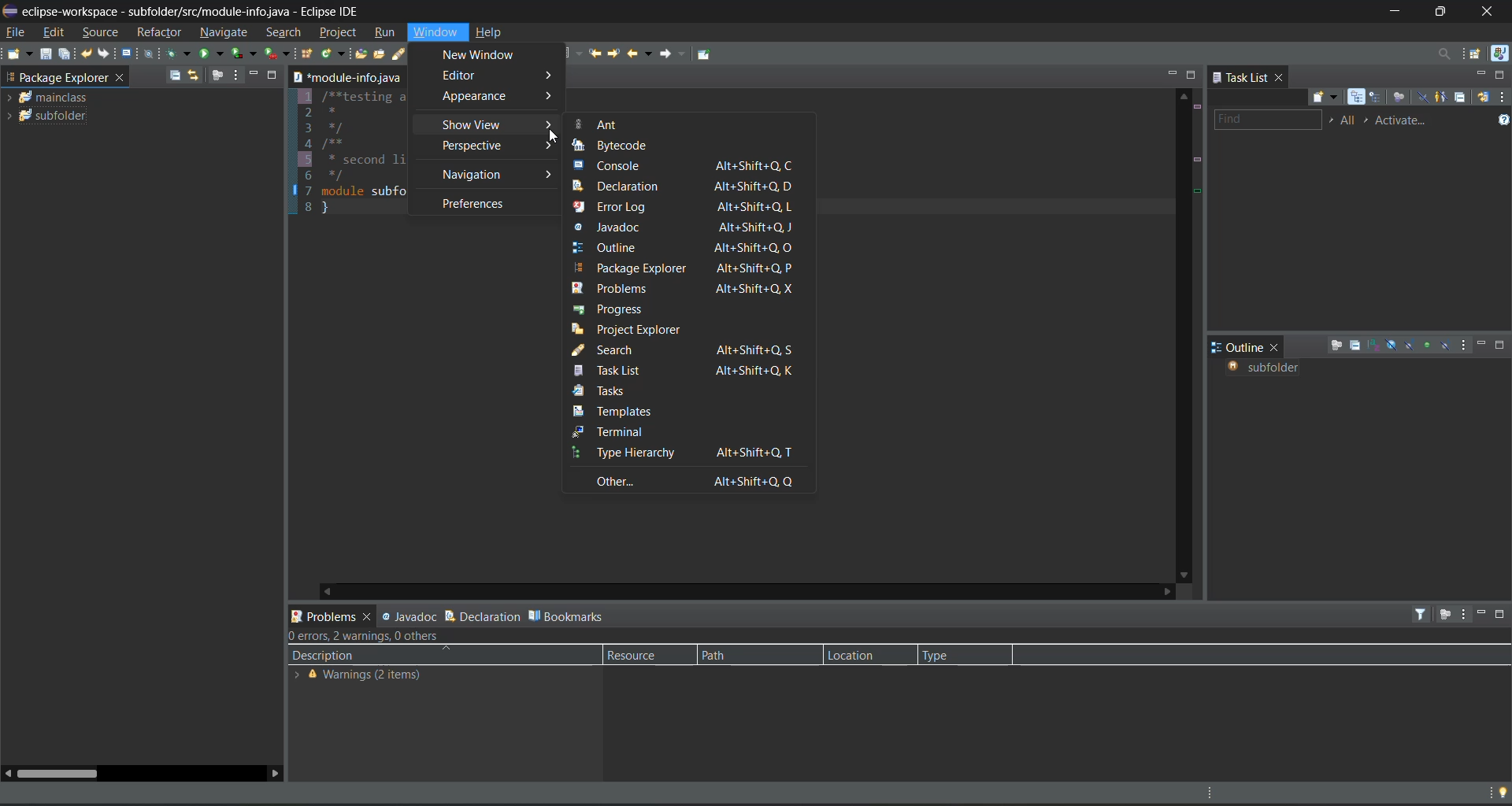  I want to click on new java class, so click(332, 53).